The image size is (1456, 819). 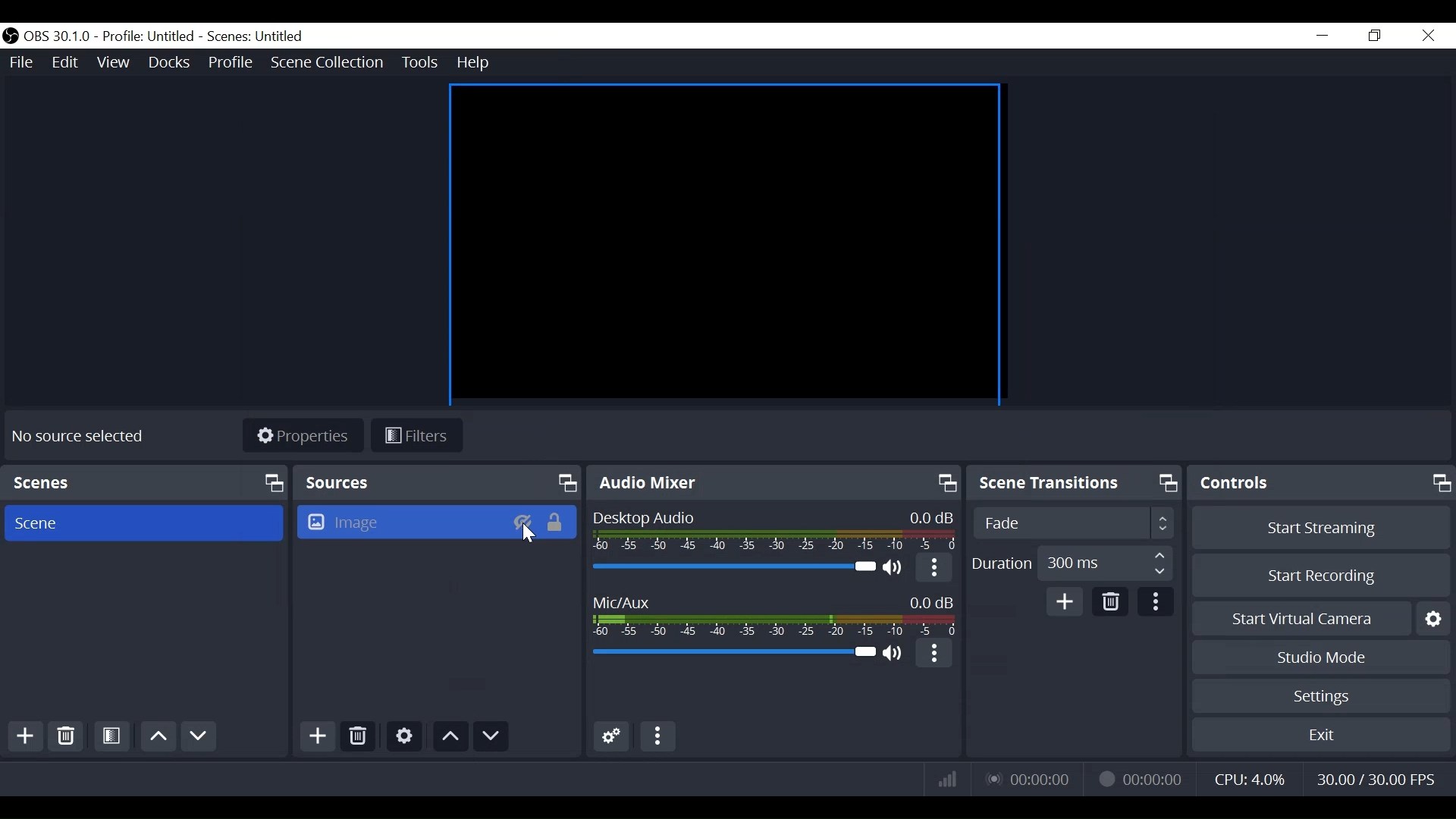 What do you see at coordinates (318, 737) in the screenshot?
I see `Add` at bounding box center [318, 737].